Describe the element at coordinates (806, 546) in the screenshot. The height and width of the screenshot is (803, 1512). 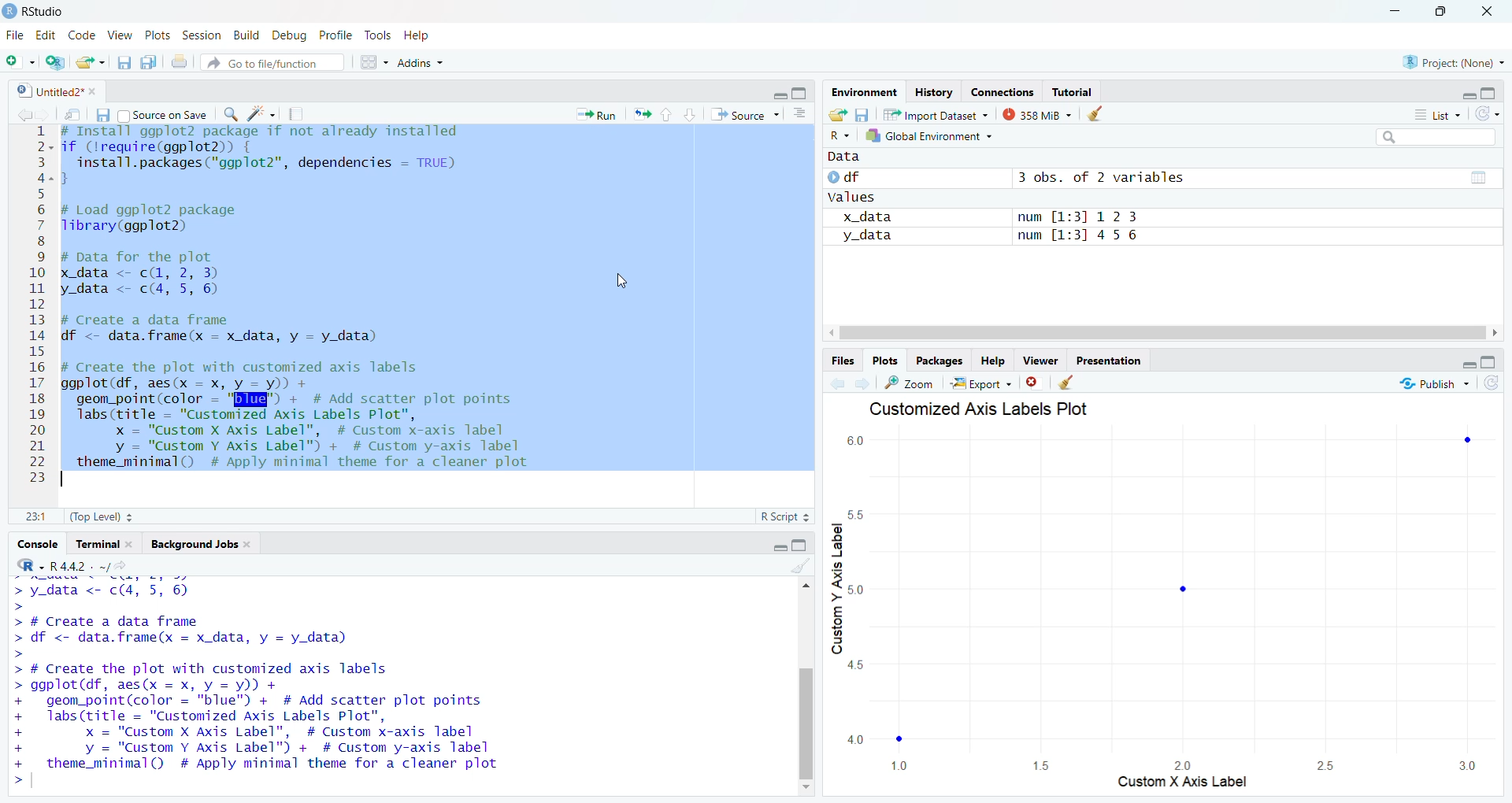
I see `maximise` at that location.